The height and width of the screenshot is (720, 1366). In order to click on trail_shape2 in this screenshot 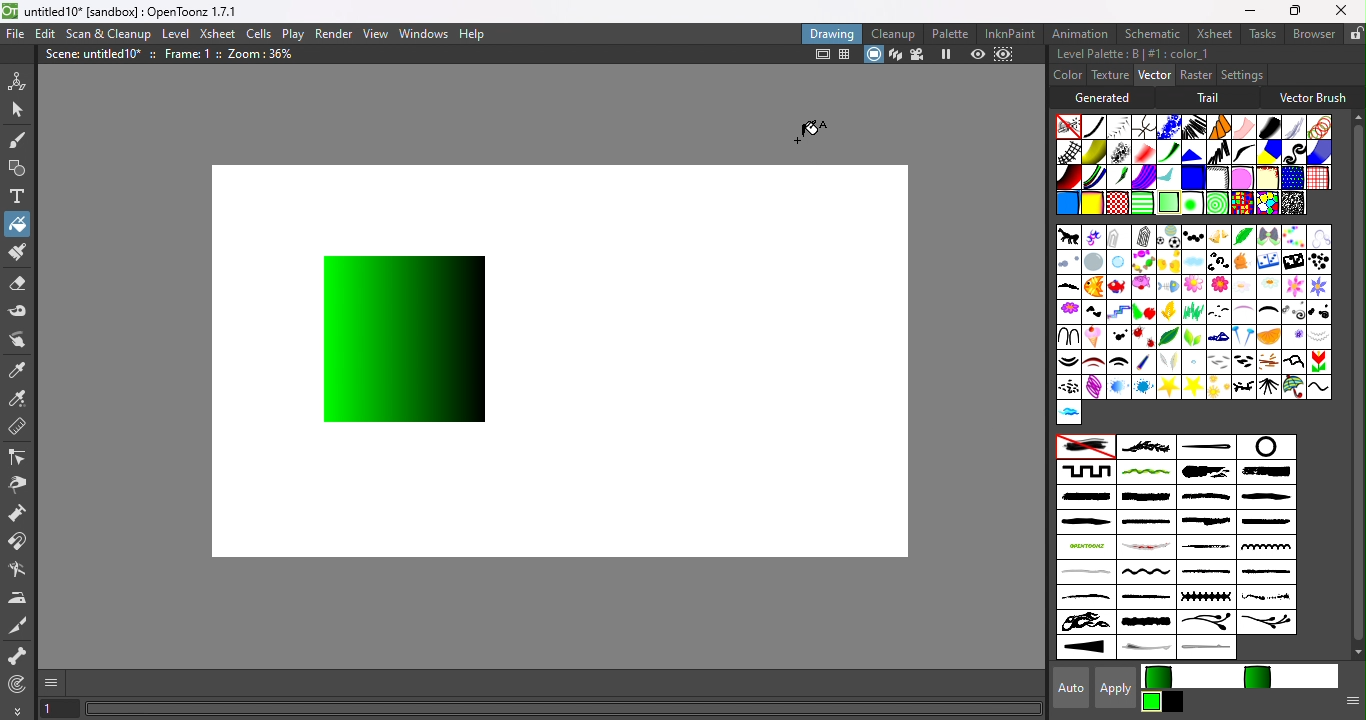, I will do `click(1210, 648)`.